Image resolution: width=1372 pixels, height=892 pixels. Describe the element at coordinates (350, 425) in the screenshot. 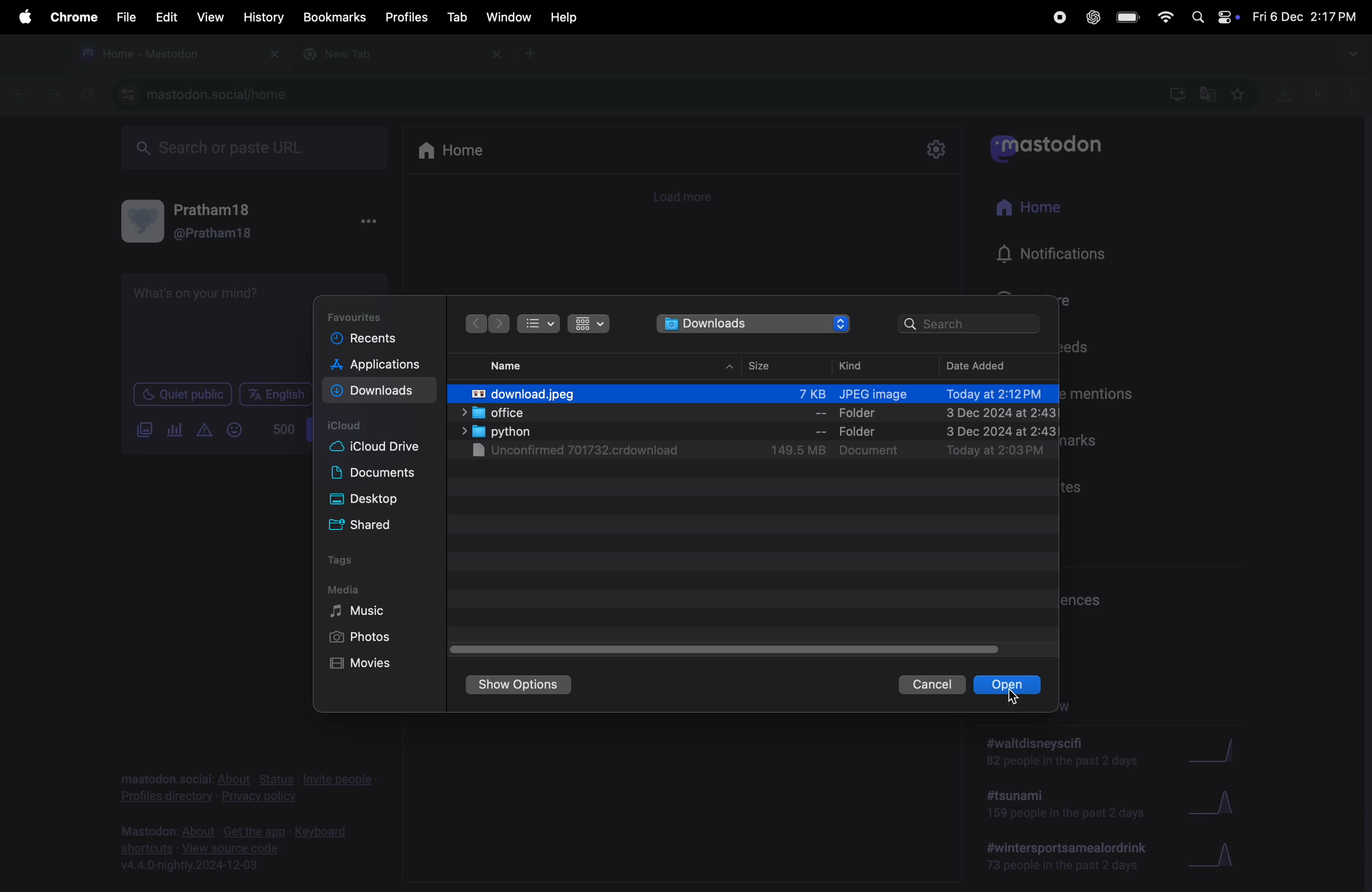

I see `i cloud` at that location.